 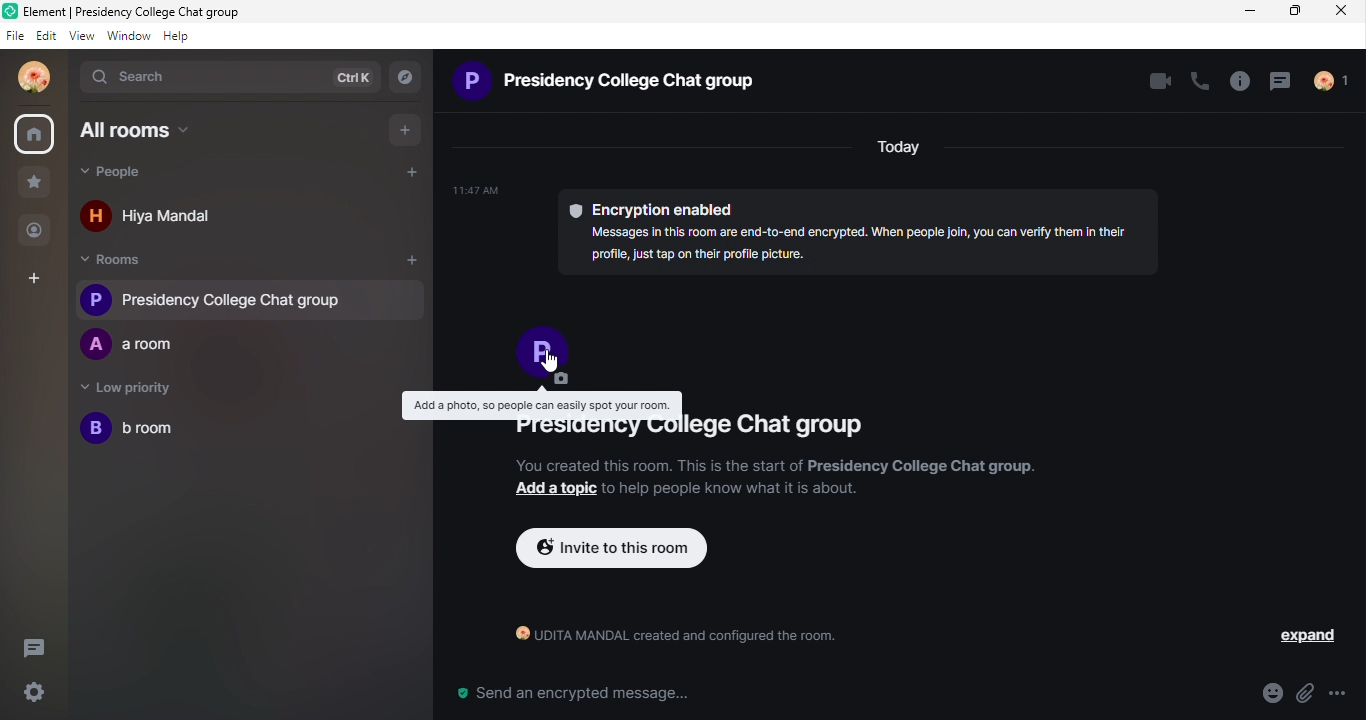 I want to click on expand, so click(x=1311, y=636).